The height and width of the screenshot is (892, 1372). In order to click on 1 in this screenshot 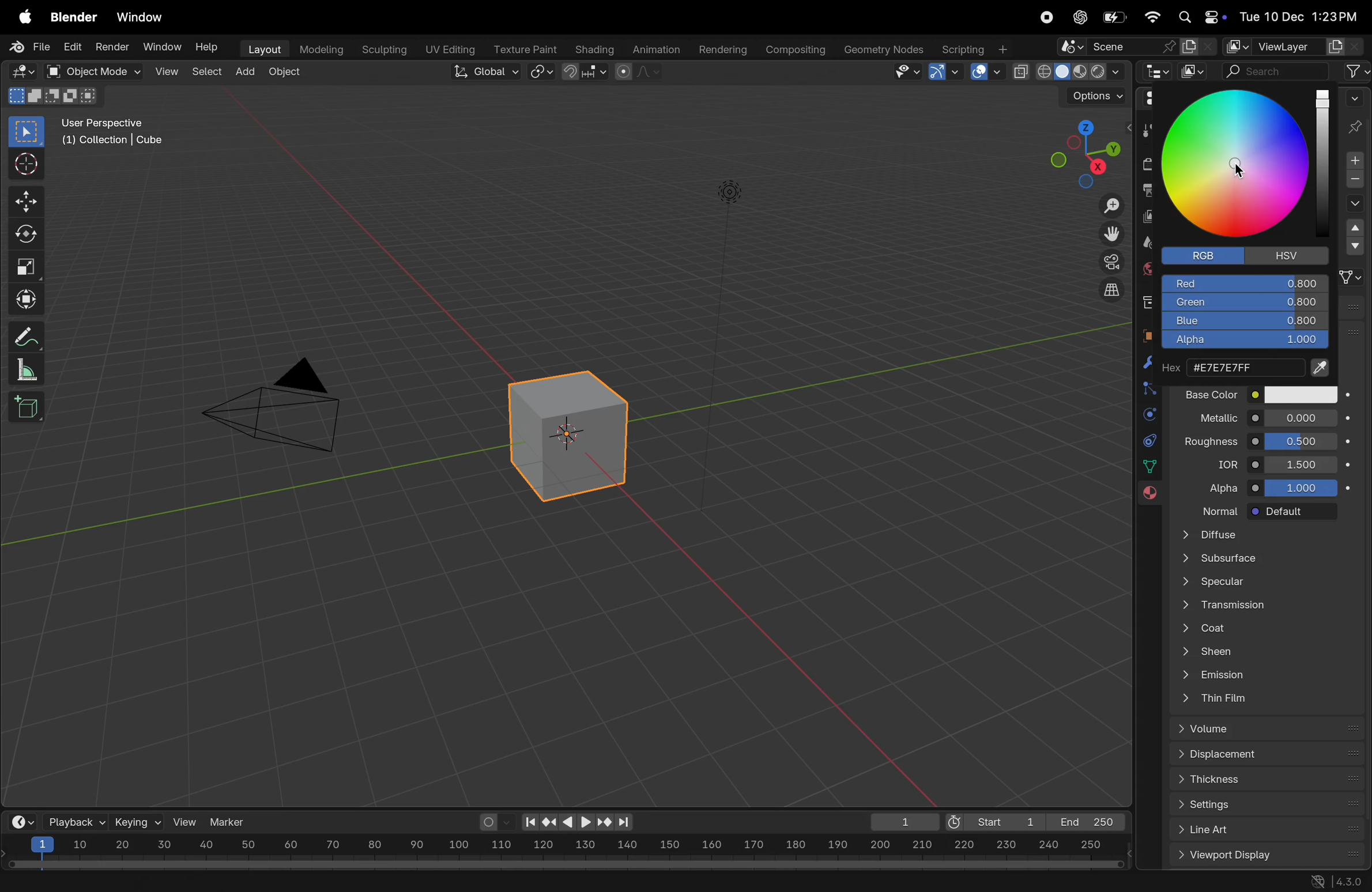, I will do `click(900, 822)`.